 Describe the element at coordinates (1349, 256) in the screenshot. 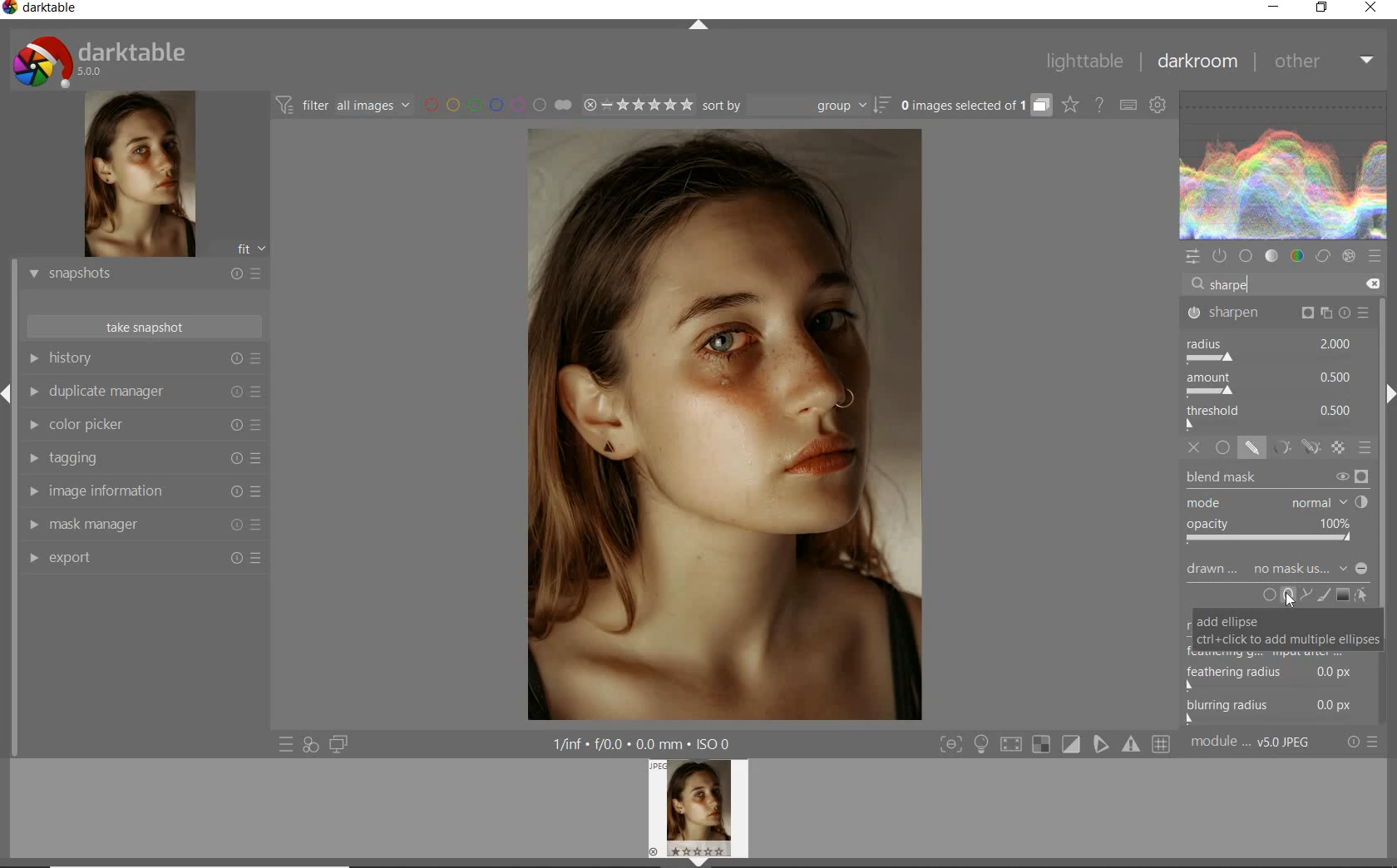

I see `effect` at that location.